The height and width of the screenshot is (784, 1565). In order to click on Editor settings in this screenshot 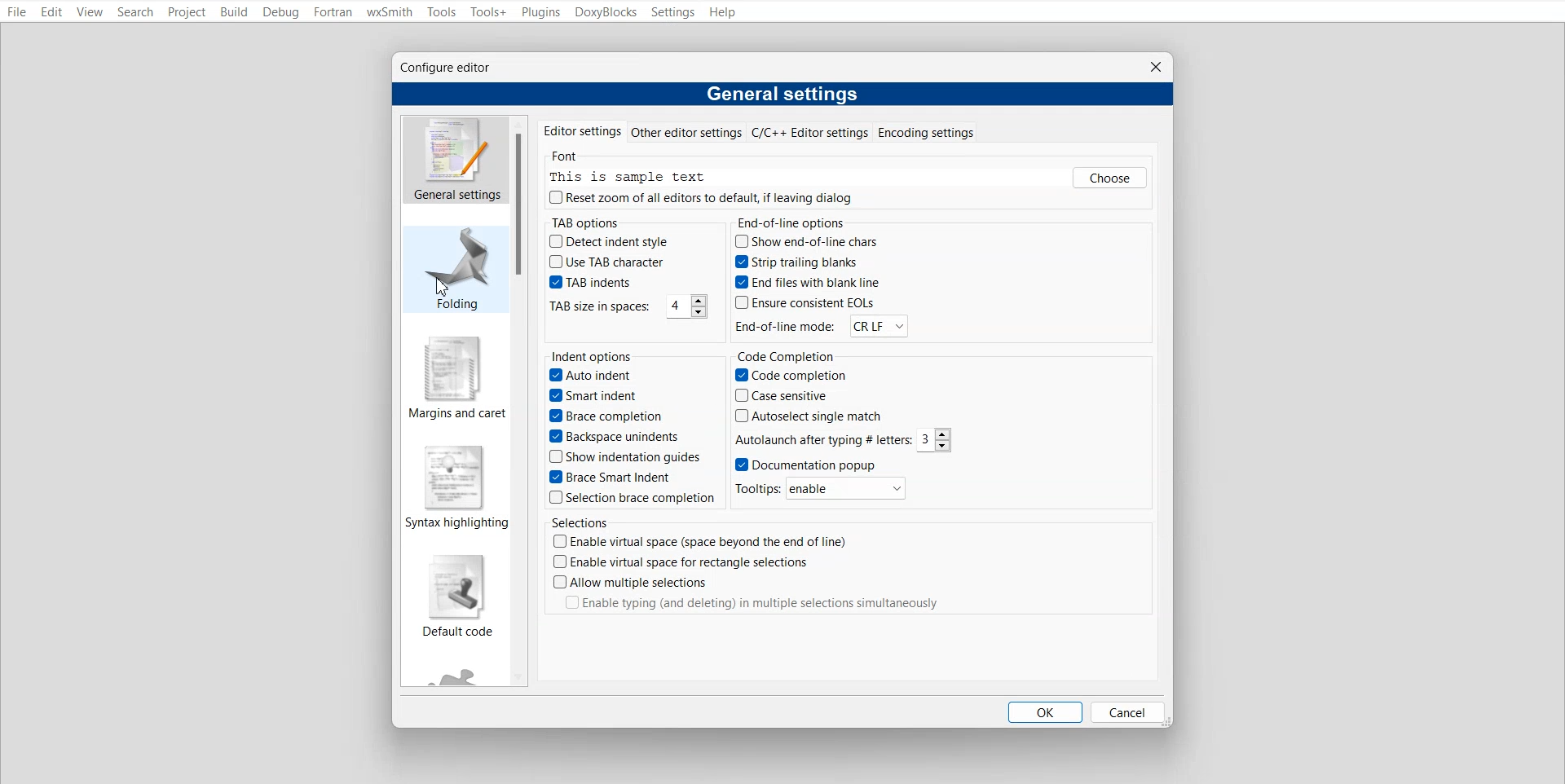, I will do `click(580, 130)`.